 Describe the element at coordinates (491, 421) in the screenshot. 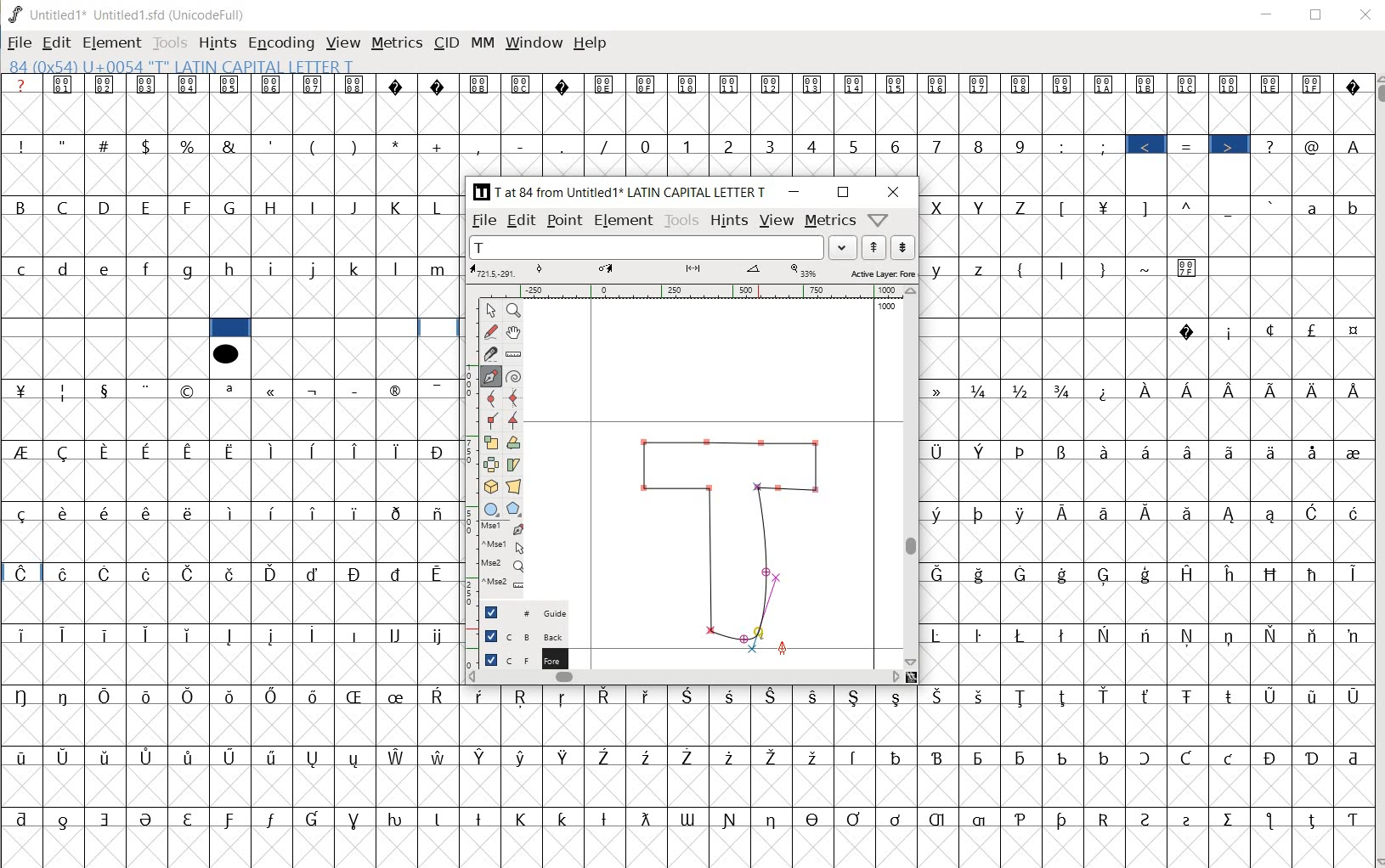

I see `corner` at that location.